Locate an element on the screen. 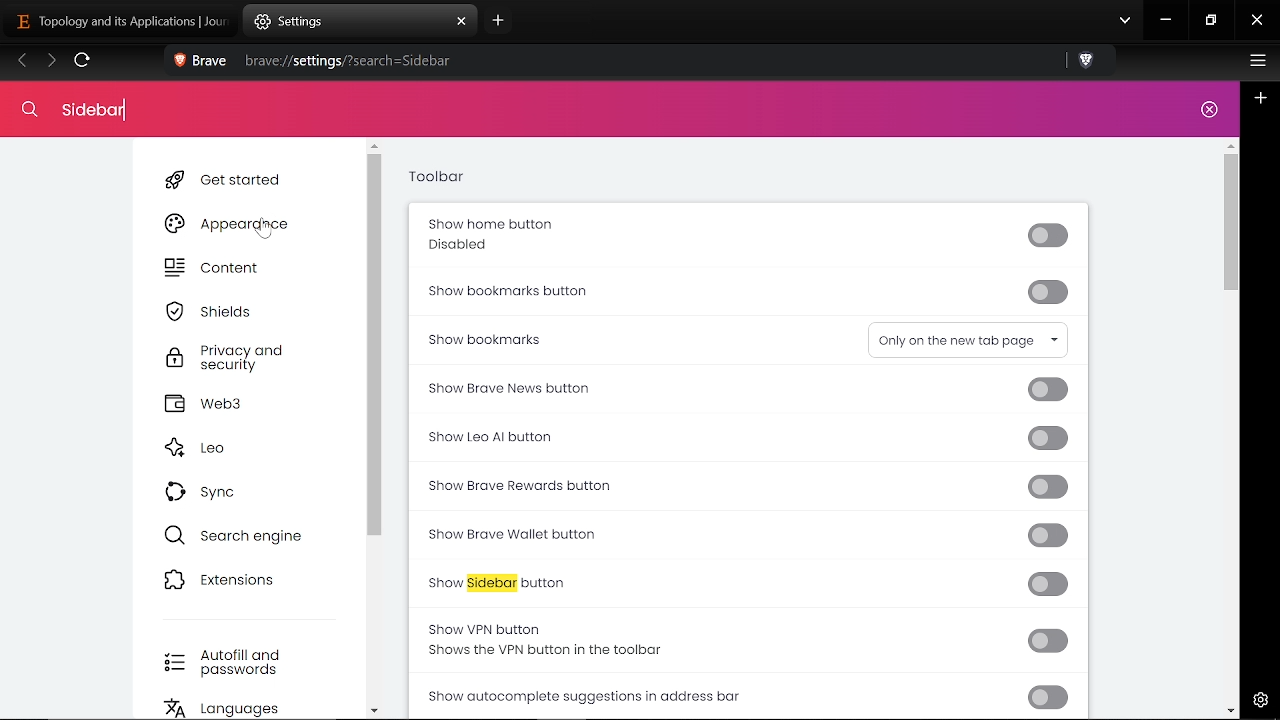  Move up is located at coordinates (374, 147).